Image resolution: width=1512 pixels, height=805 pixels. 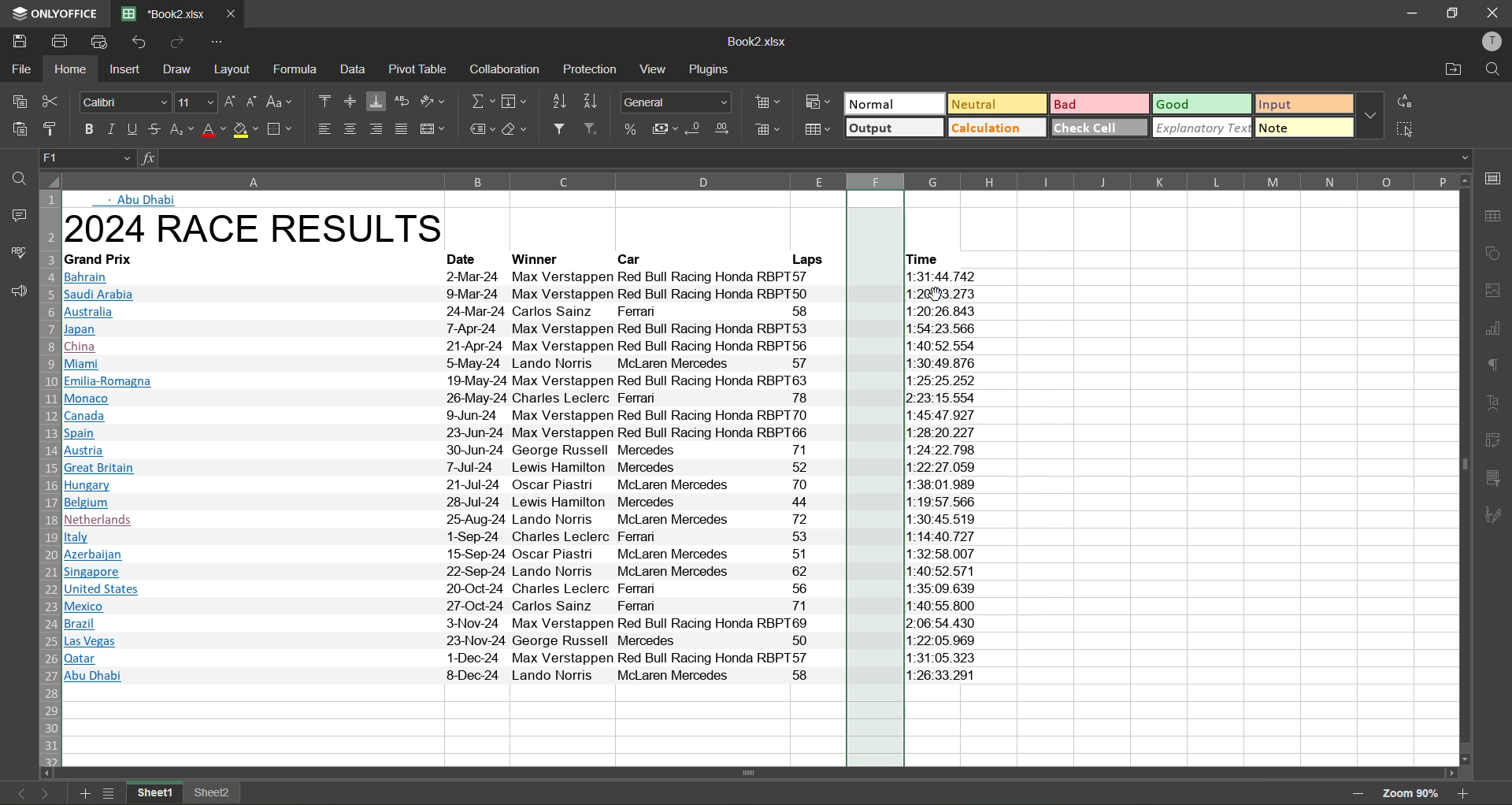 I want to click on Car, so click(x=632, y=258).